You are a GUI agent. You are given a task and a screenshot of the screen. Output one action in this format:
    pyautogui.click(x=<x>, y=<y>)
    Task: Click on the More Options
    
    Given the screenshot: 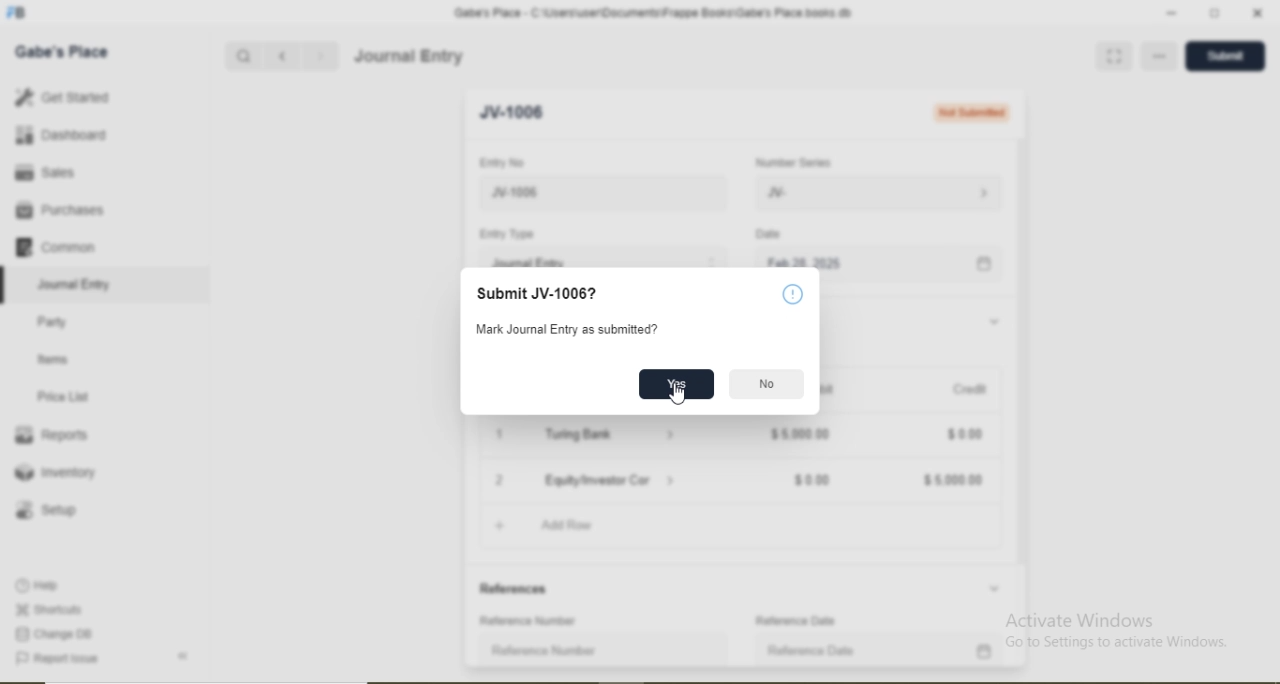 What is the action you would take?
    pyautogui.click(x=1162, y=56)
    